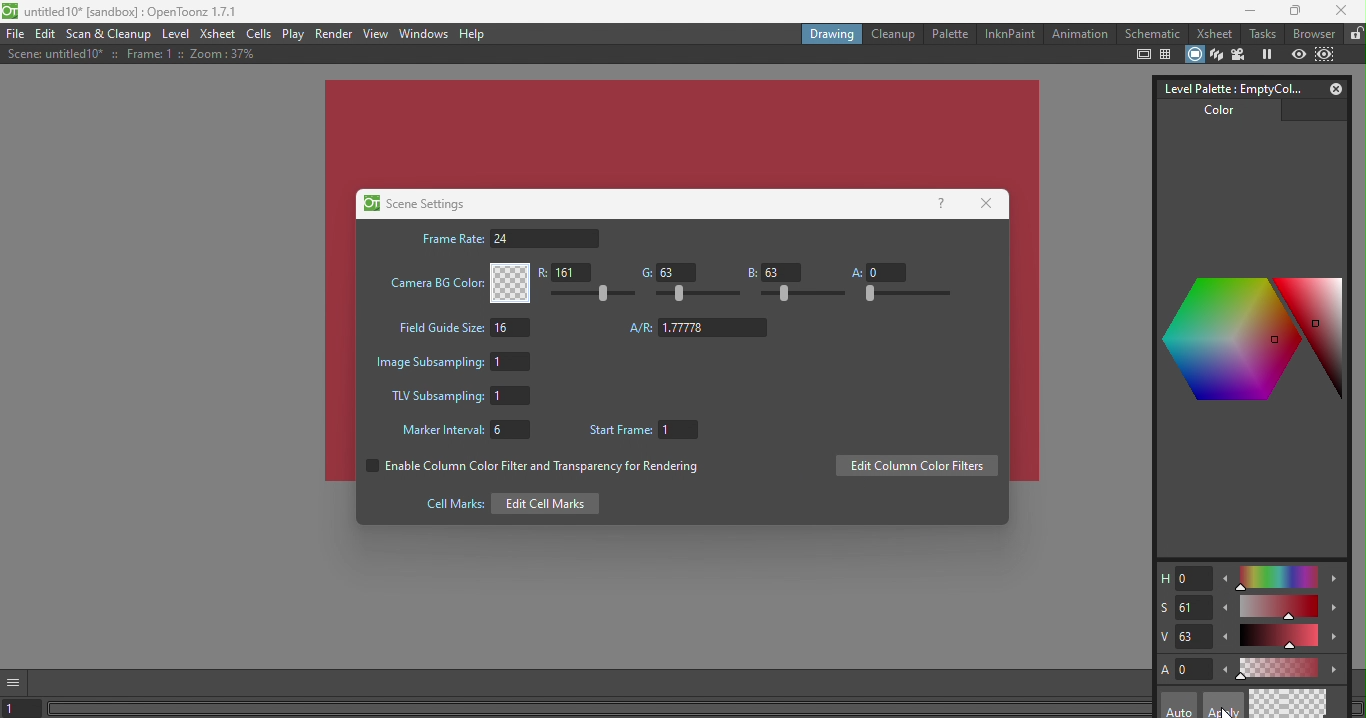 This screenshot has height=718, width=1366. Describe the element at coordinates (1277, 578) in the screenshot. I see `Slide bar` at that location.